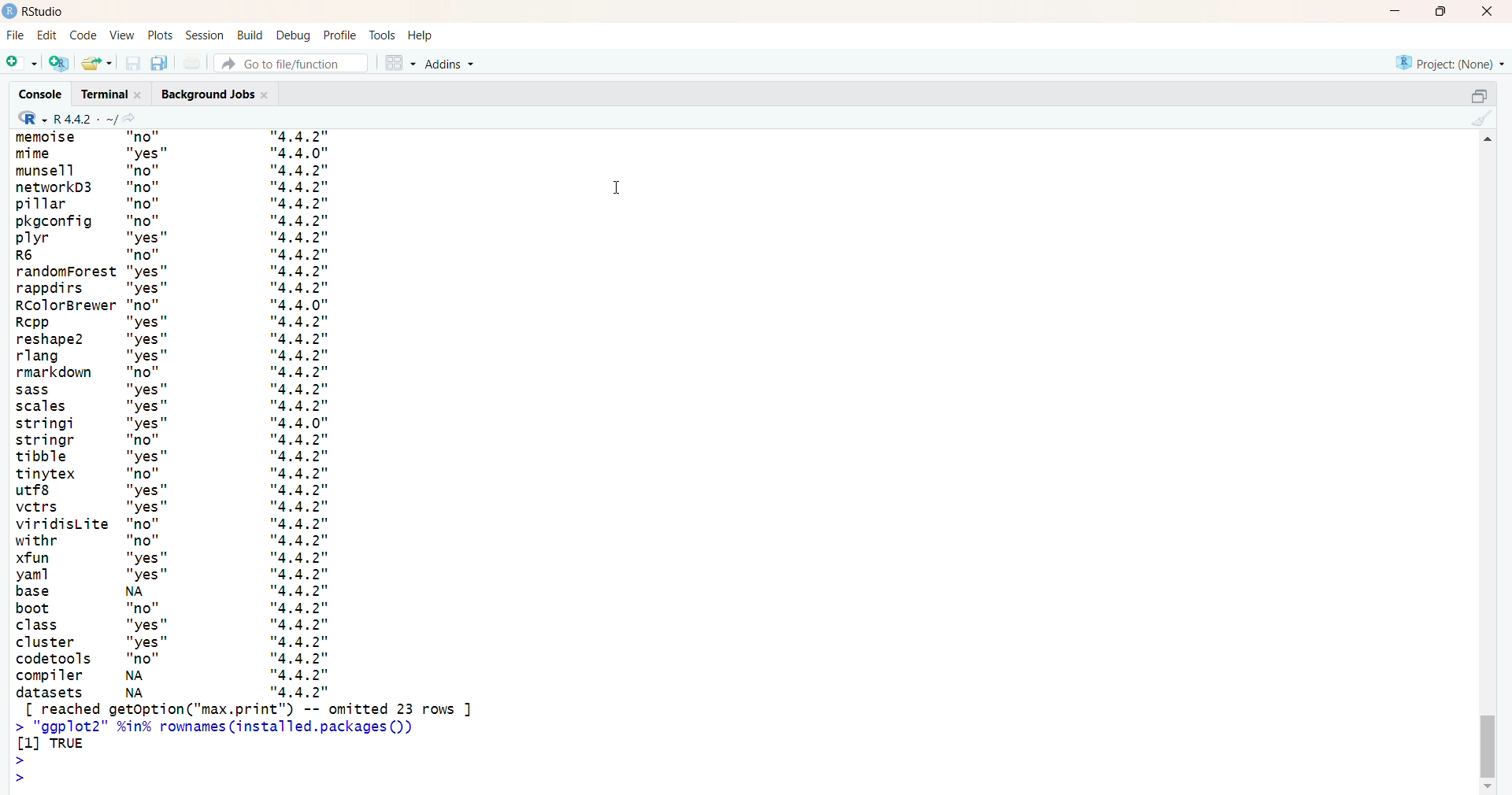 This screenshot has height=795, width=1512. What do you see at coordinates (421, 35) in the screenshot?
I see `help` at bounding box center [421, 35].